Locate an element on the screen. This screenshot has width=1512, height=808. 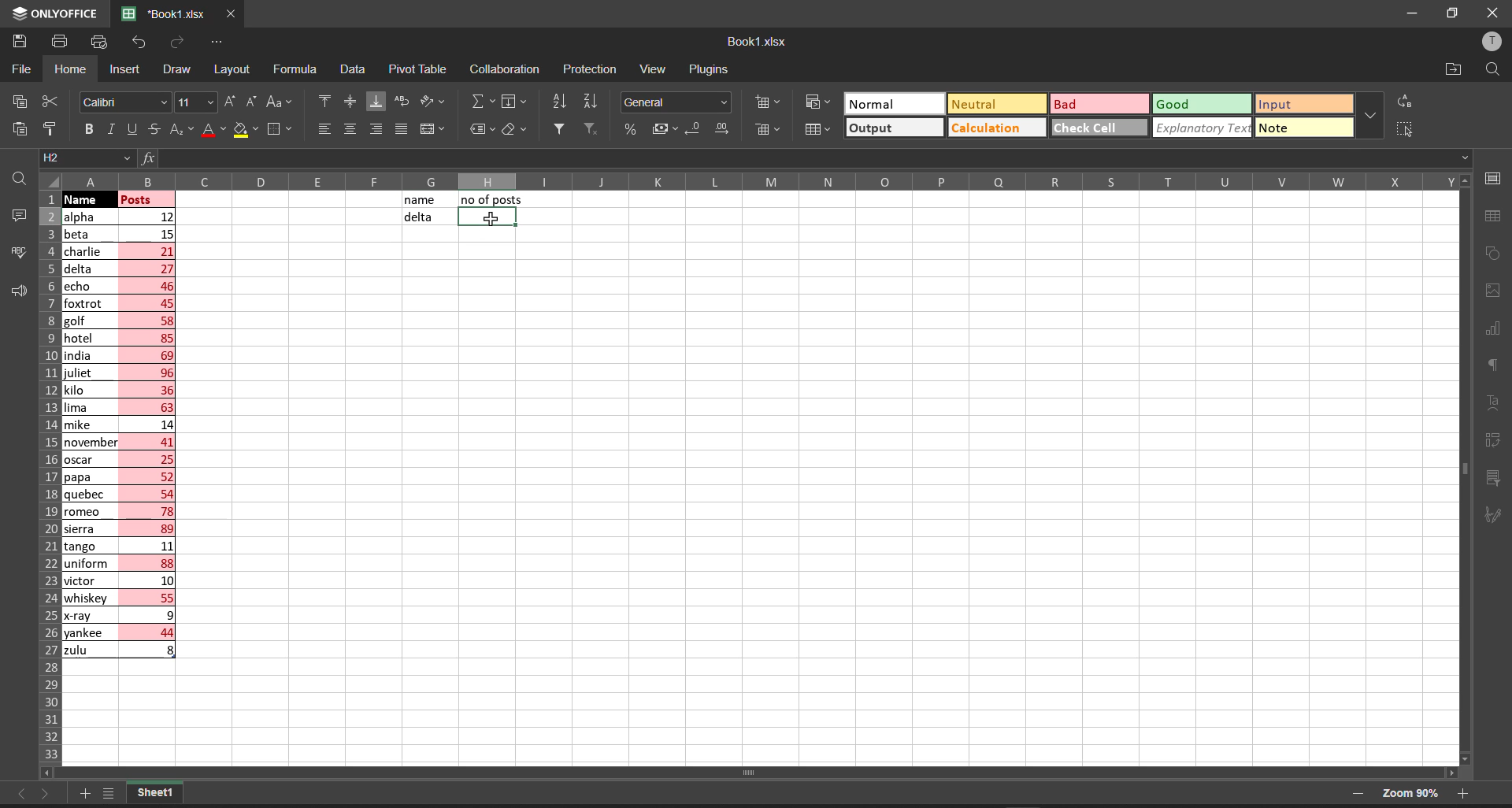
percent style is located at coordinates (628, 131).